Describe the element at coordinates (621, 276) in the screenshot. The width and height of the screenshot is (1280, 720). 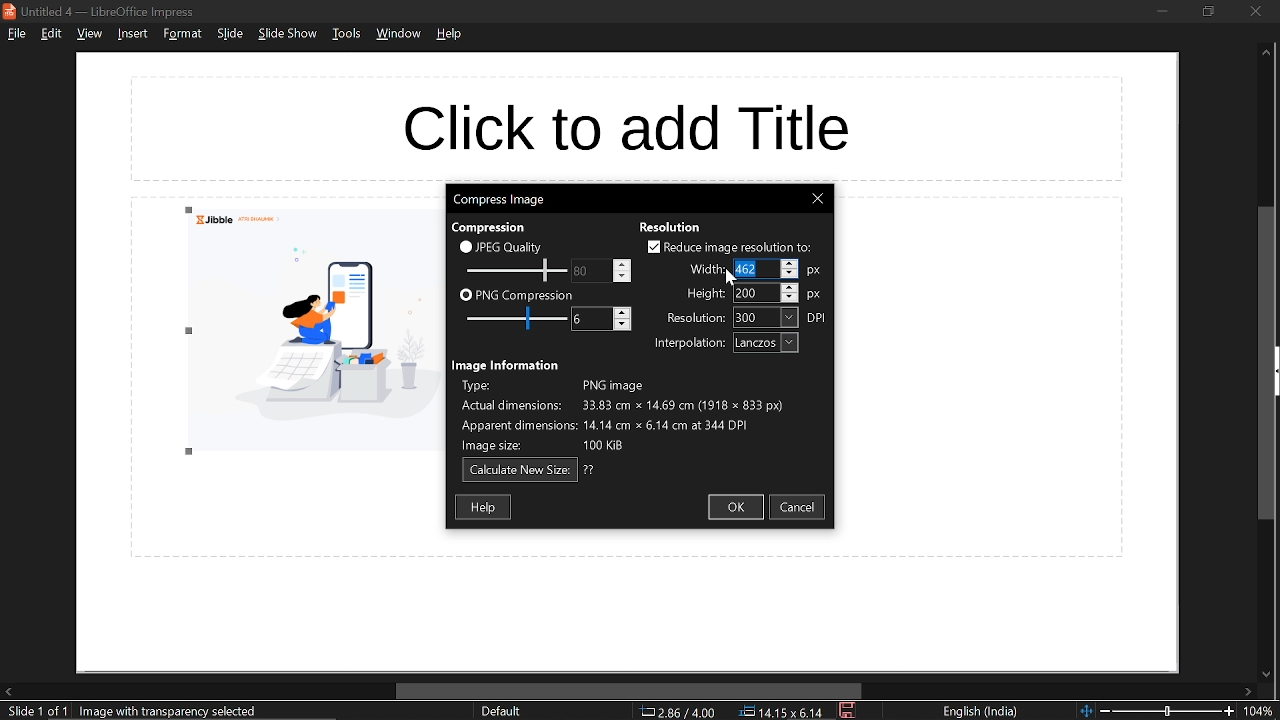
I see `decrease jpeg quality` at that location.